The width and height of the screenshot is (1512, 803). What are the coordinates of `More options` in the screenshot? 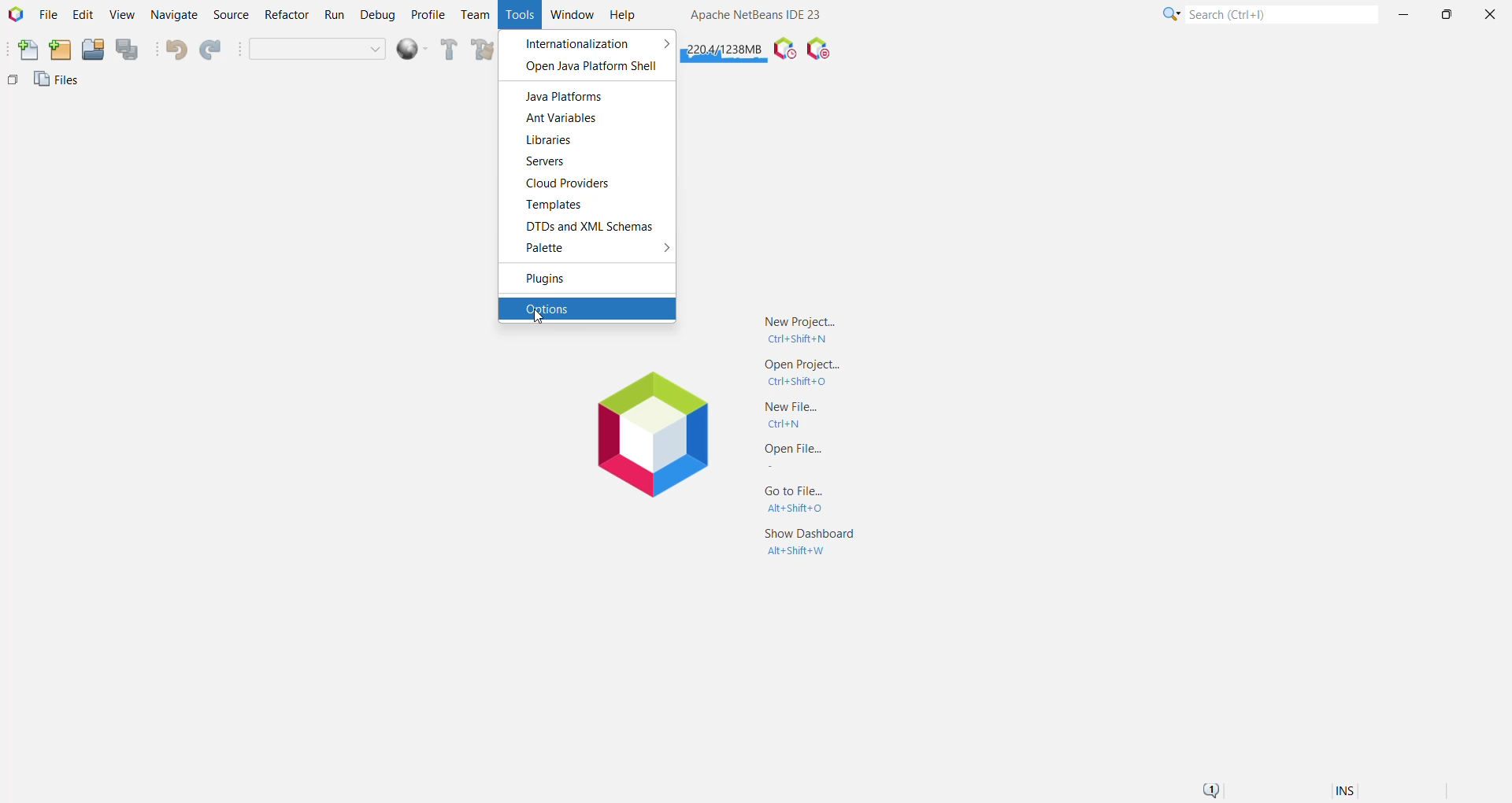 It's located at (665, 44).